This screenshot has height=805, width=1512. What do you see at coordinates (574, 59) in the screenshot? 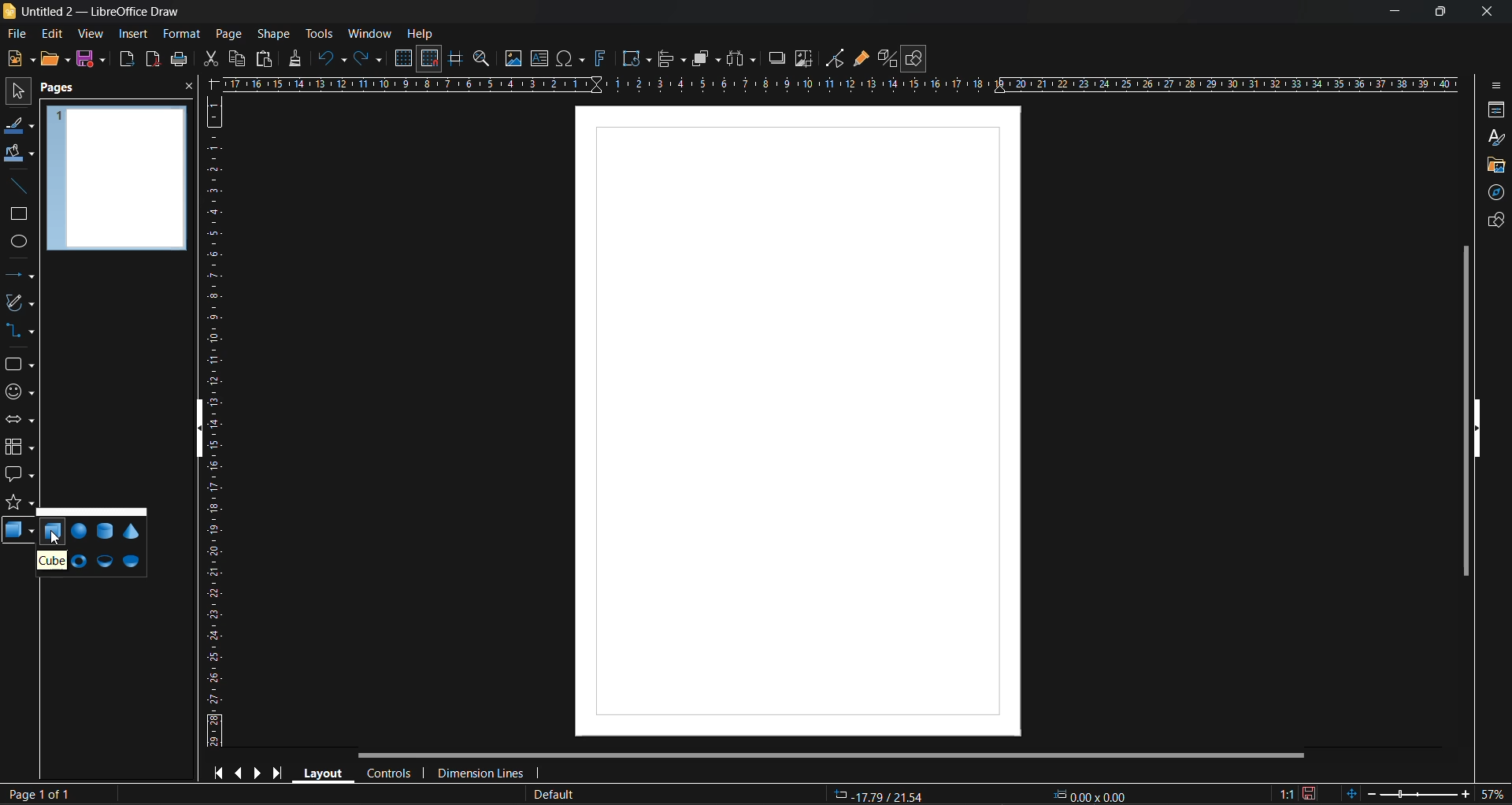
I see `special characters` at bounding box center [574, 59].